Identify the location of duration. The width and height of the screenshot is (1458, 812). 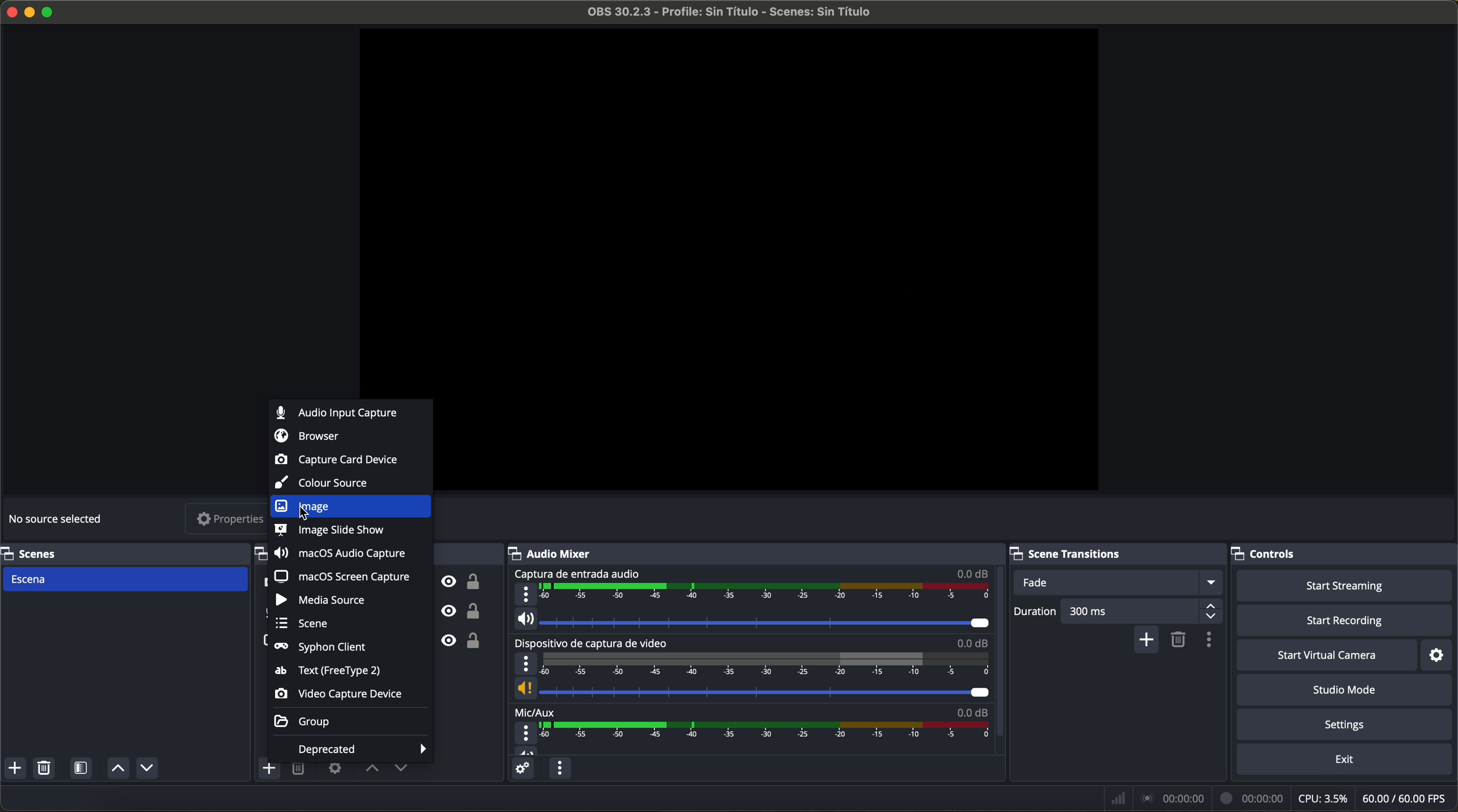
(1036, 613).